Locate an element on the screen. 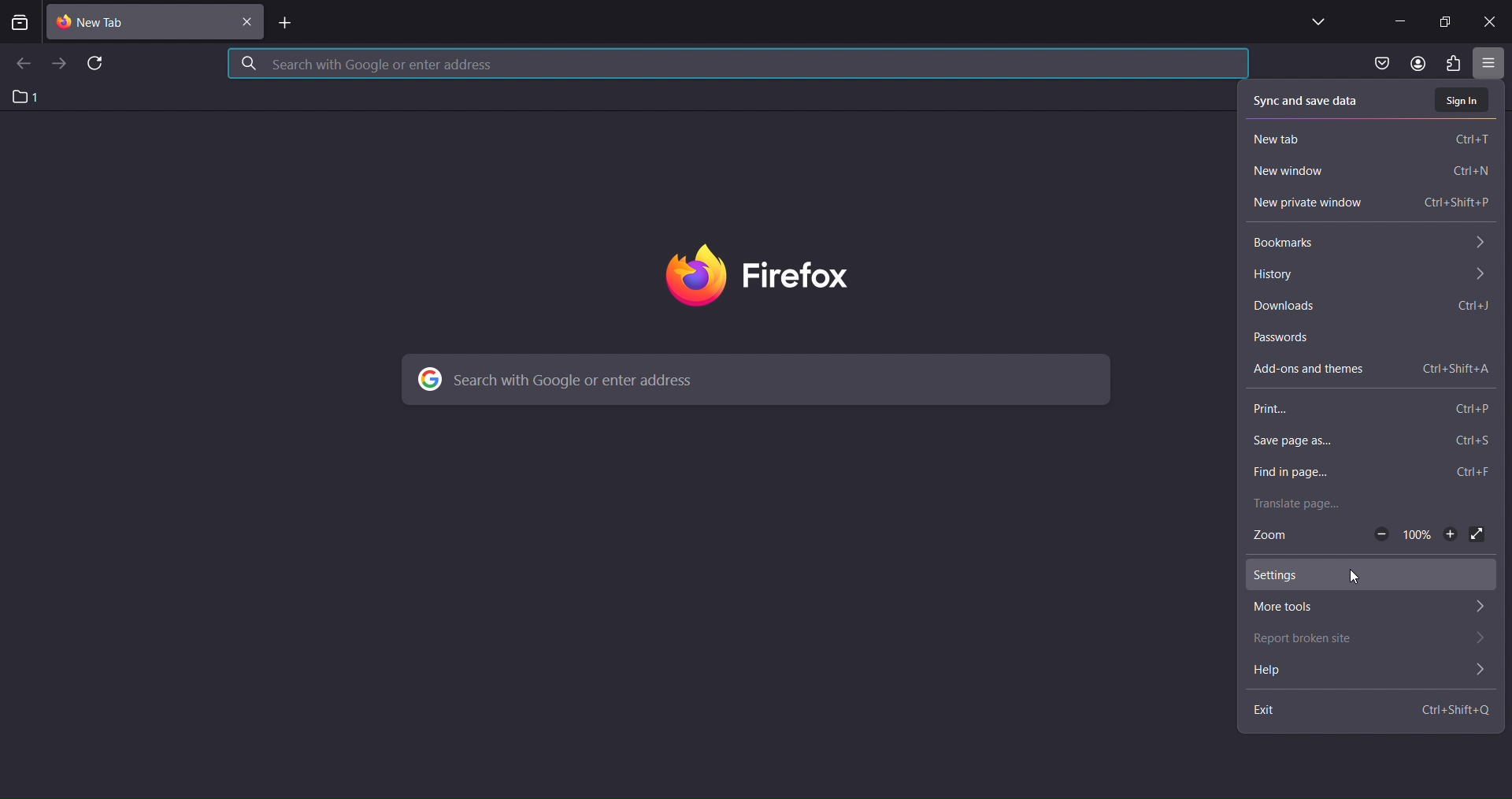 Image resolution: width=1512 pixels, height=799 pixels. settings is located at coordinates (1362, 572).